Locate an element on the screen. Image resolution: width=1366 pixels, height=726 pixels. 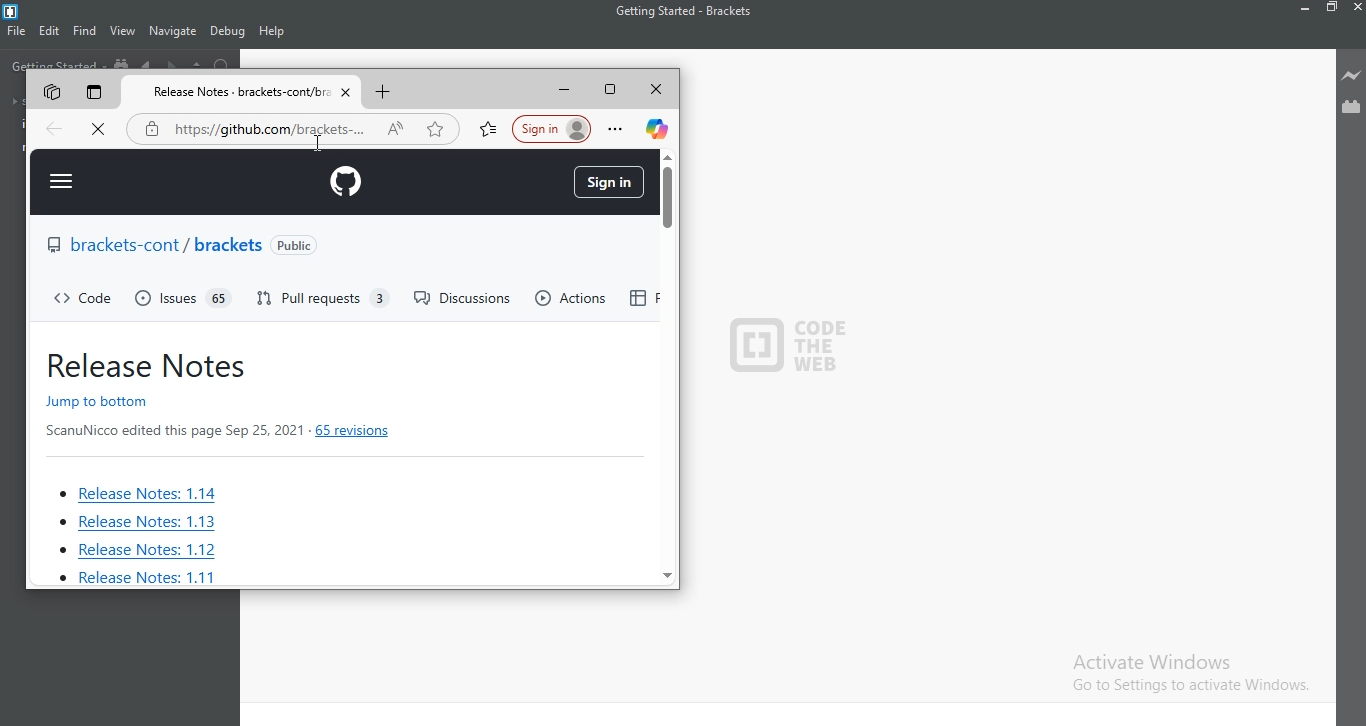
release notes 1.12 is located at coordinates (139, 550).